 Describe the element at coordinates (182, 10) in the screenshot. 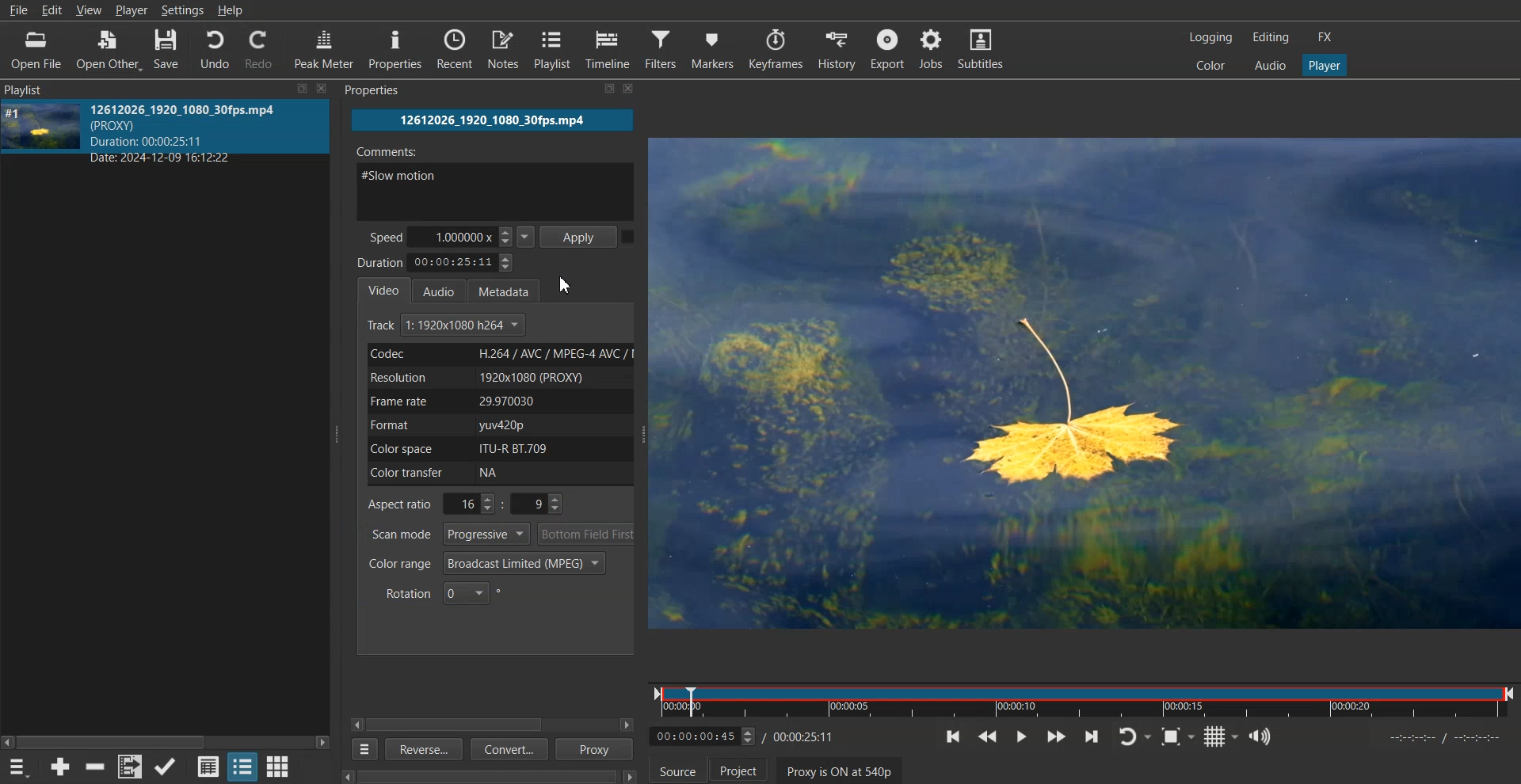

I see `Settings` at that location.